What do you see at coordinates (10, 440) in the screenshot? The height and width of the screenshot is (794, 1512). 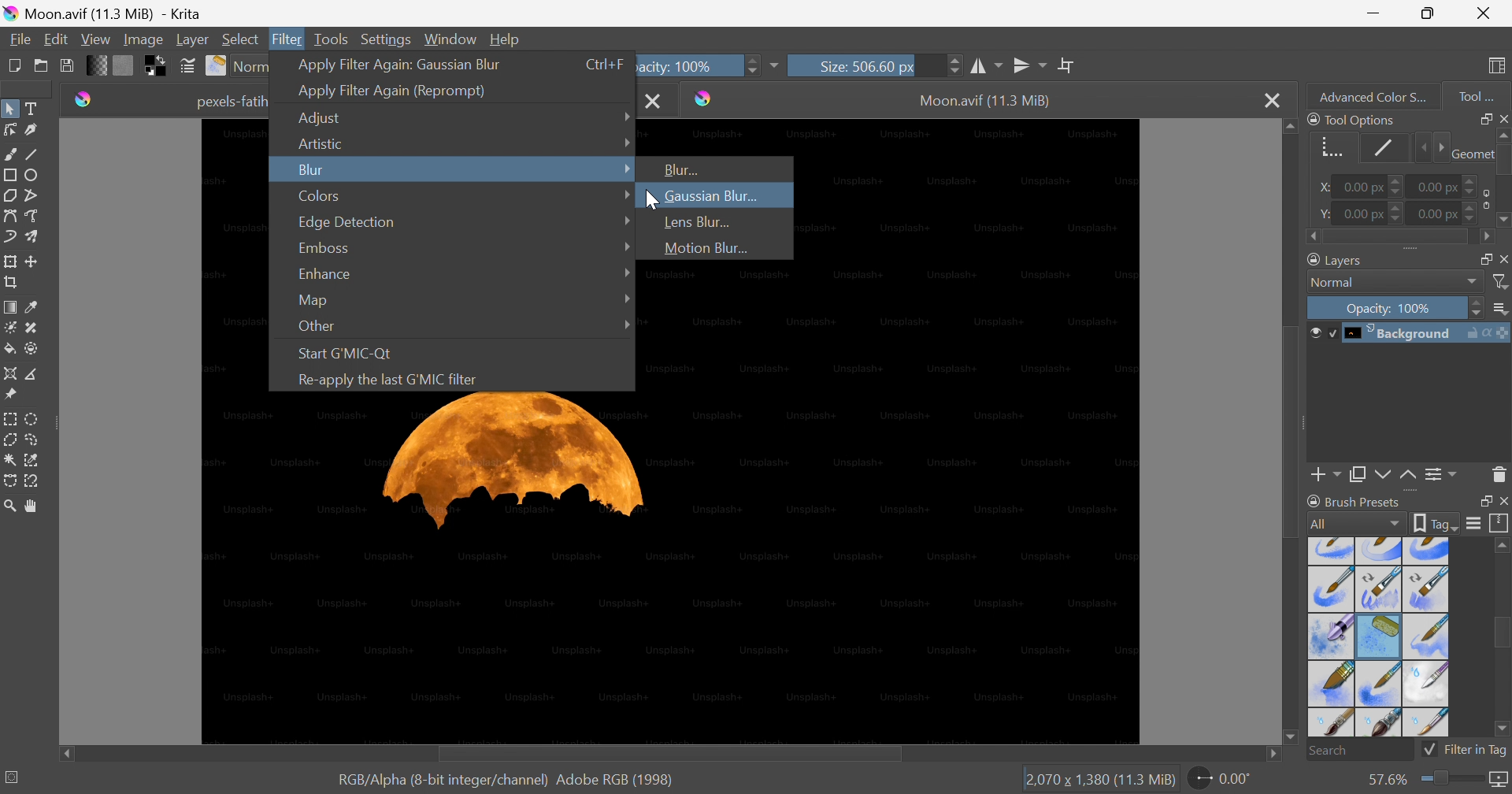 I see `Polygonal selection tool` at bounding box center [10, 440].